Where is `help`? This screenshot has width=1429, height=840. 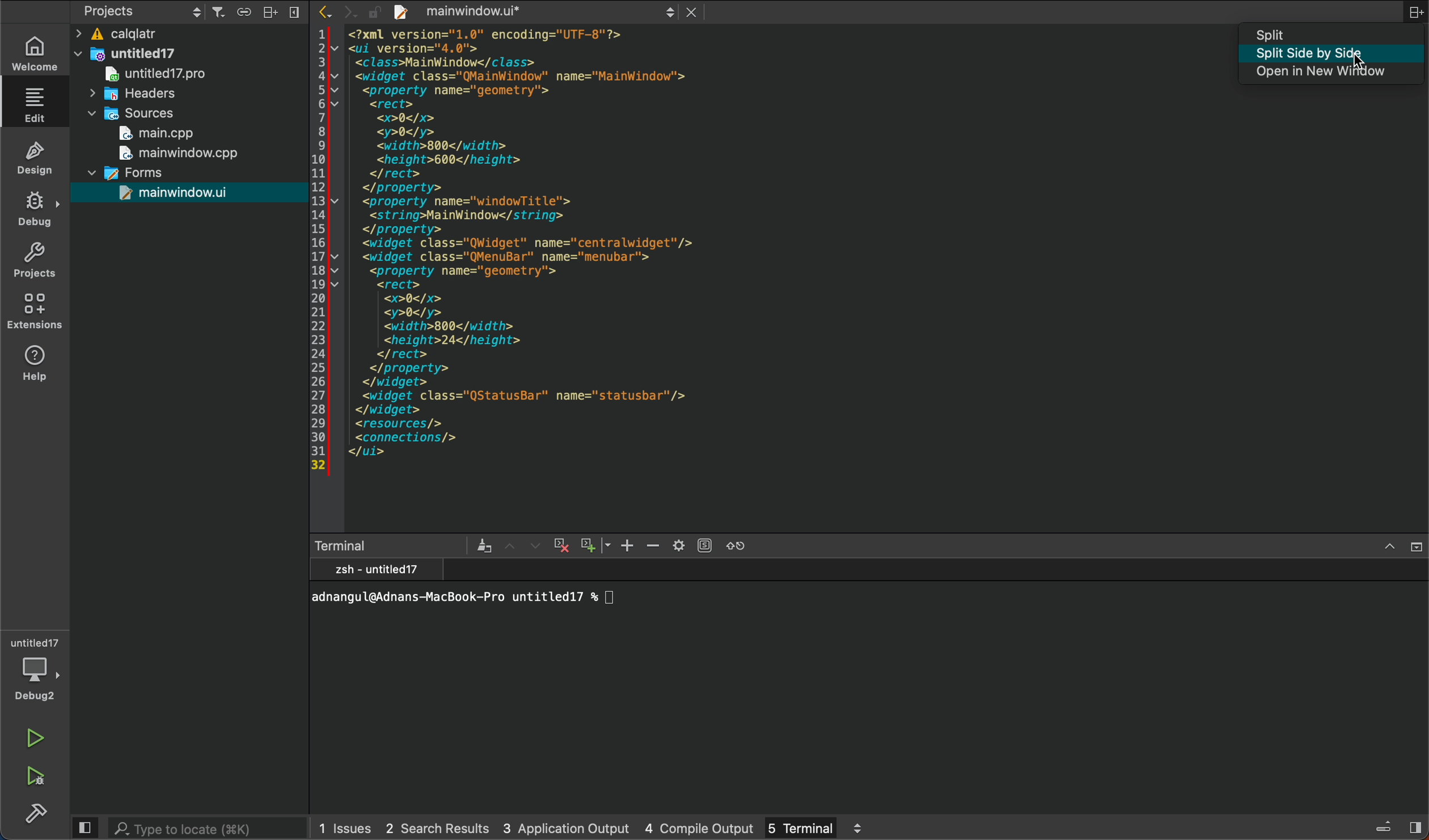 help is located at coordinates (36, 366).